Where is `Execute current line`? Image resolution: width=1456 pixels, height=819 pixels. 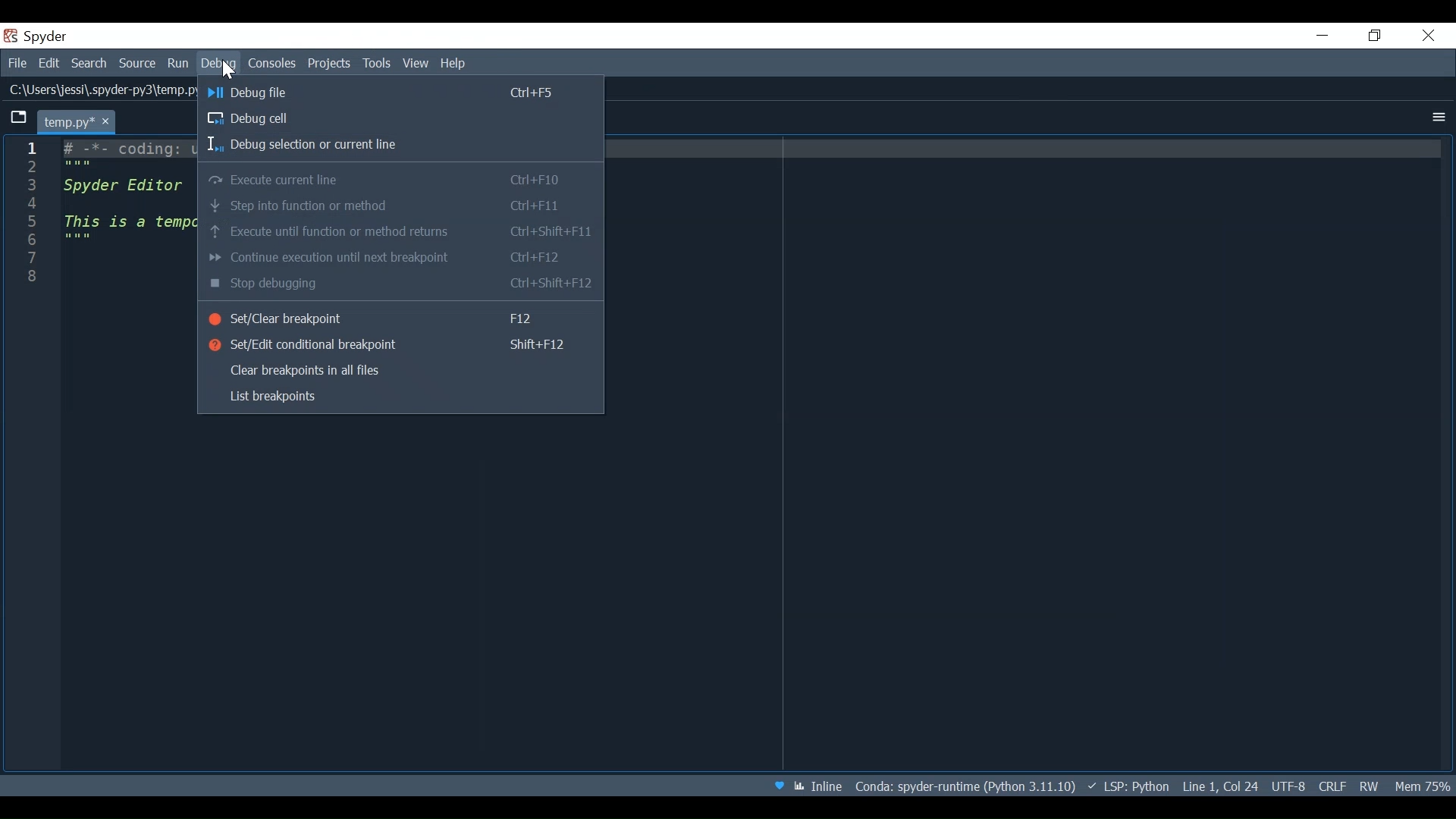
Execute current line is located at coordinates (394, 179).